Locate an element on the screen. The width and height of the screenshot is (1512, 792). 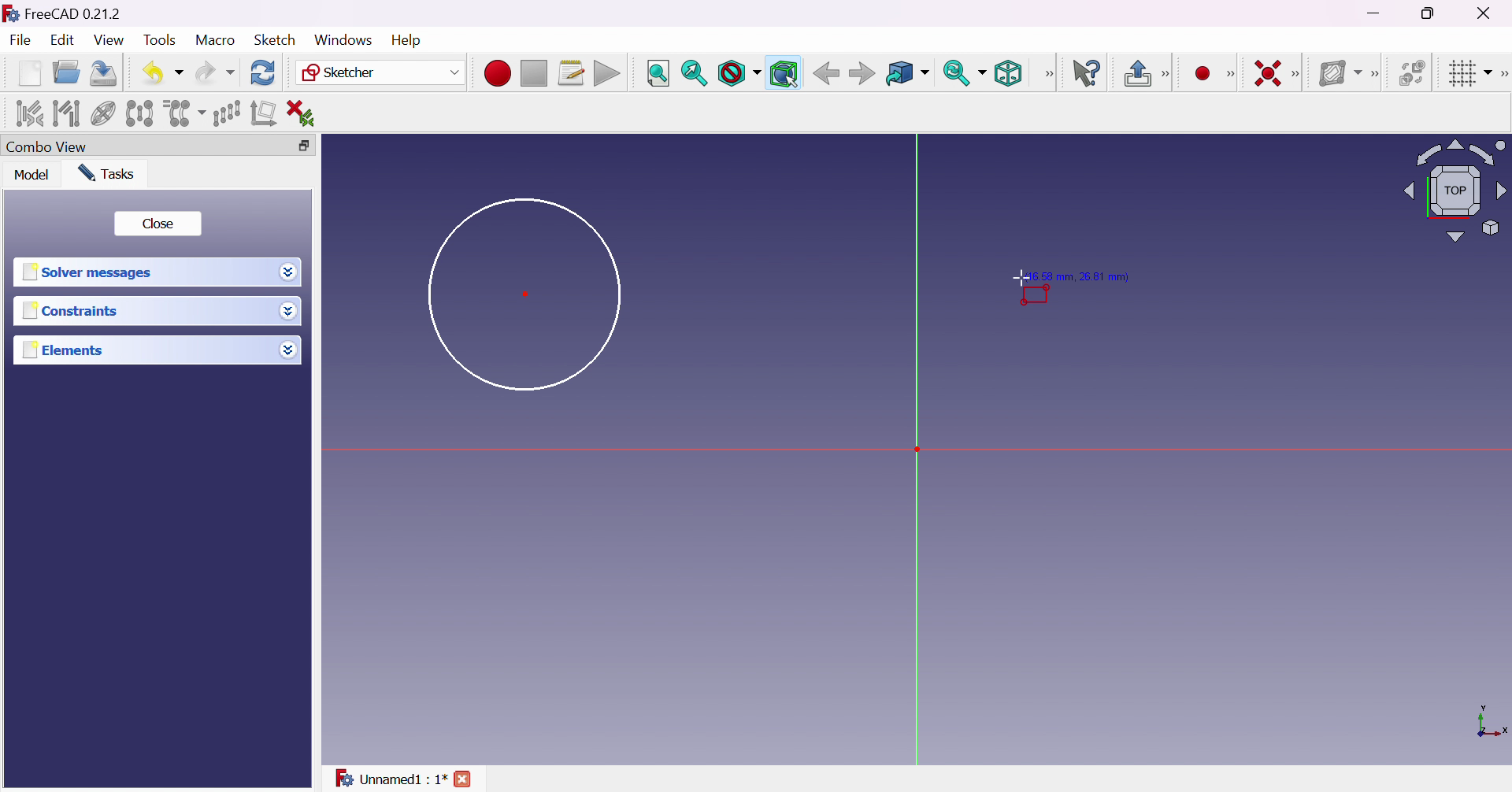
Remove axes alignment is located at coordinates (264, 114).